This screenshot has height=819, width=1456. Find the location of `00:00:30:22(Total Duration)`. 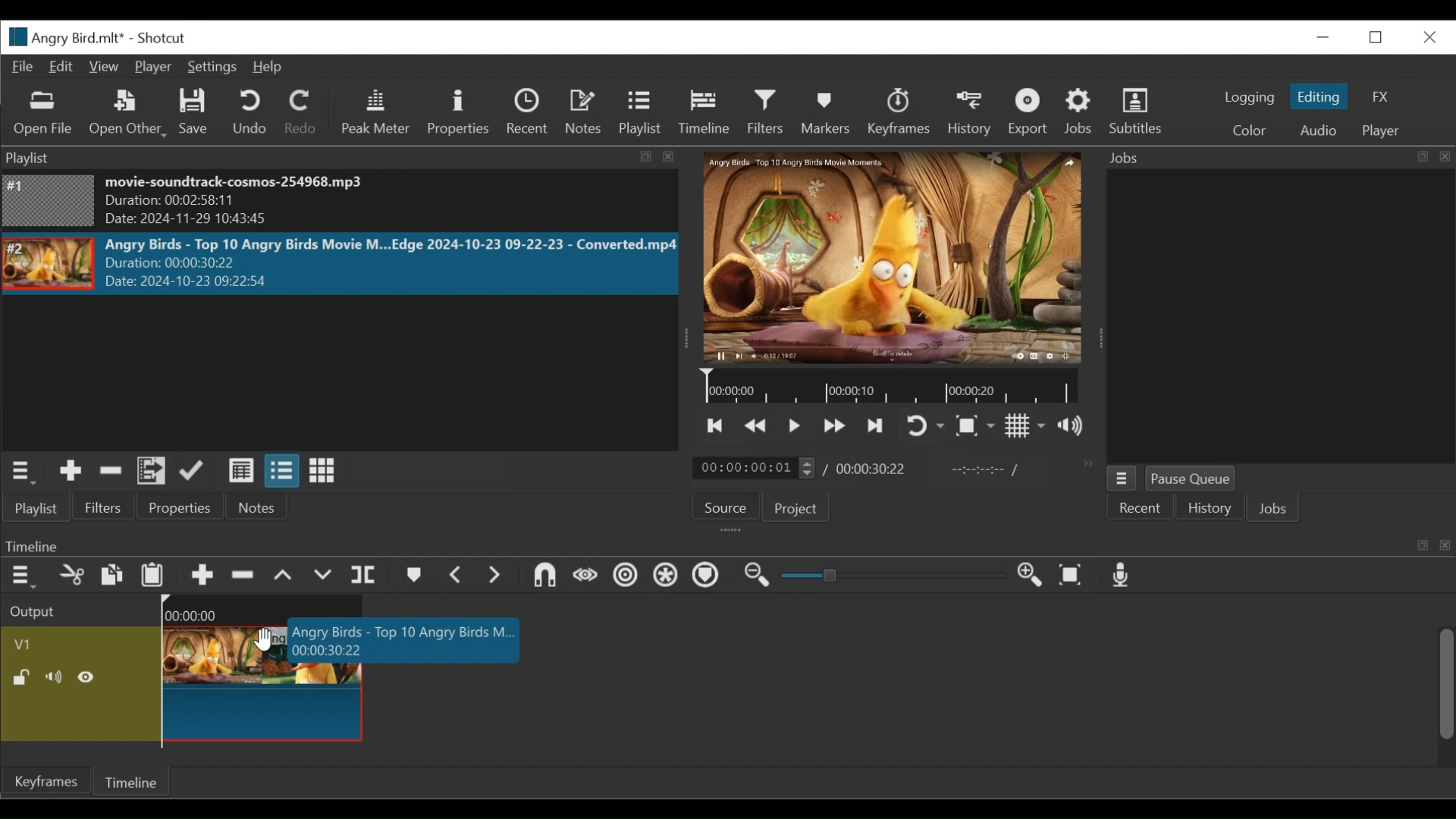

00:00:30:22(Total Duration) is located at coordinates (868, 469).